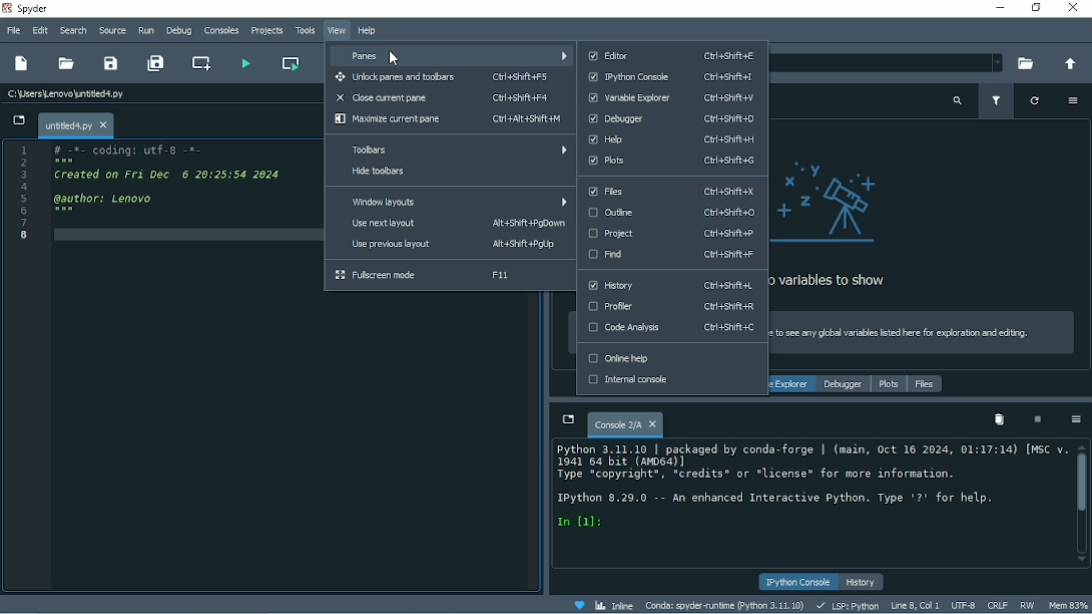  Describe the element at coordinates (450, 150) in the screenshot. I see `Toolbars` at that location.